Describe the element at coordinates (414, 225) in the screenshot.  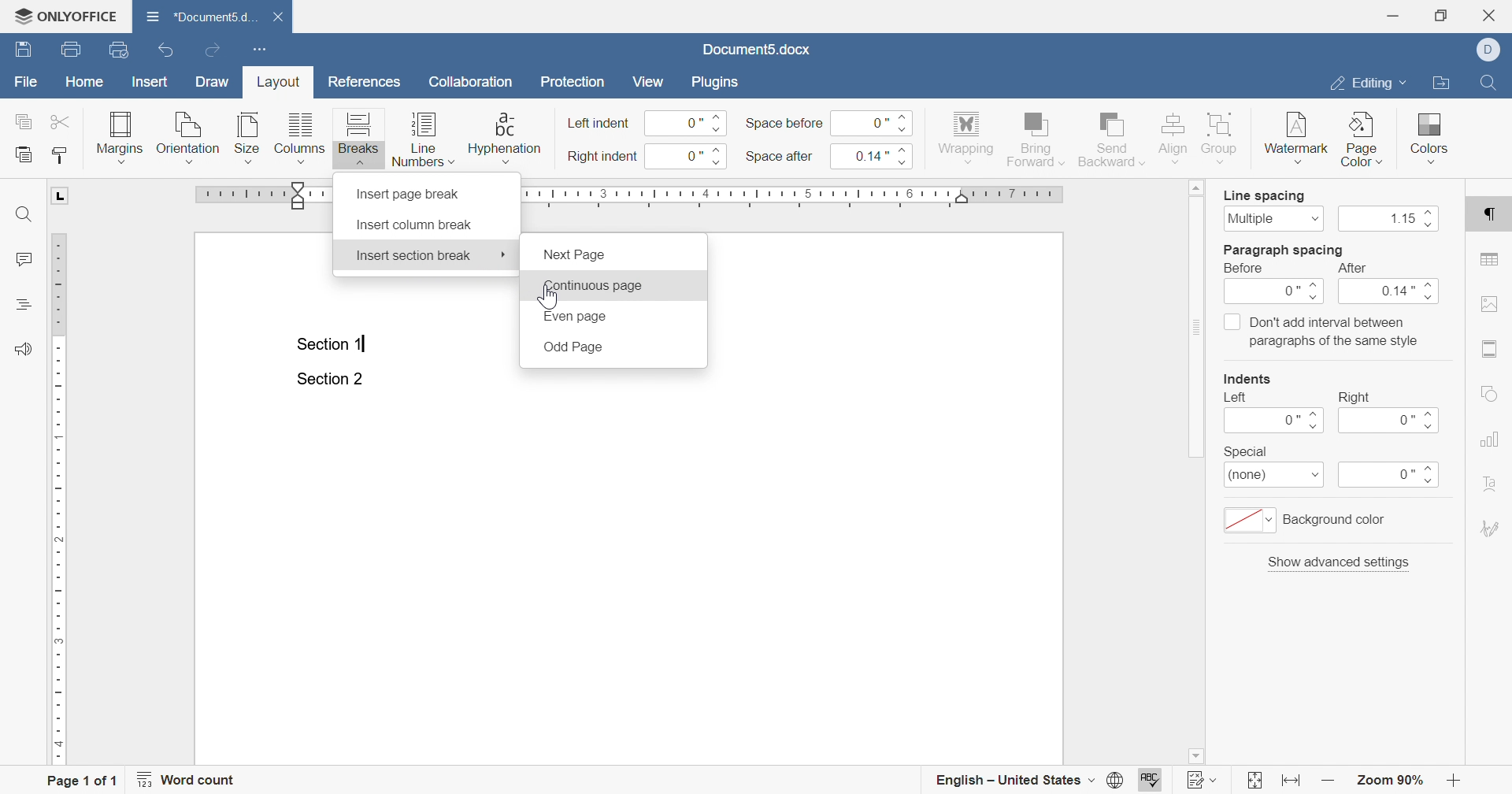
I see `insert column break` at that location.